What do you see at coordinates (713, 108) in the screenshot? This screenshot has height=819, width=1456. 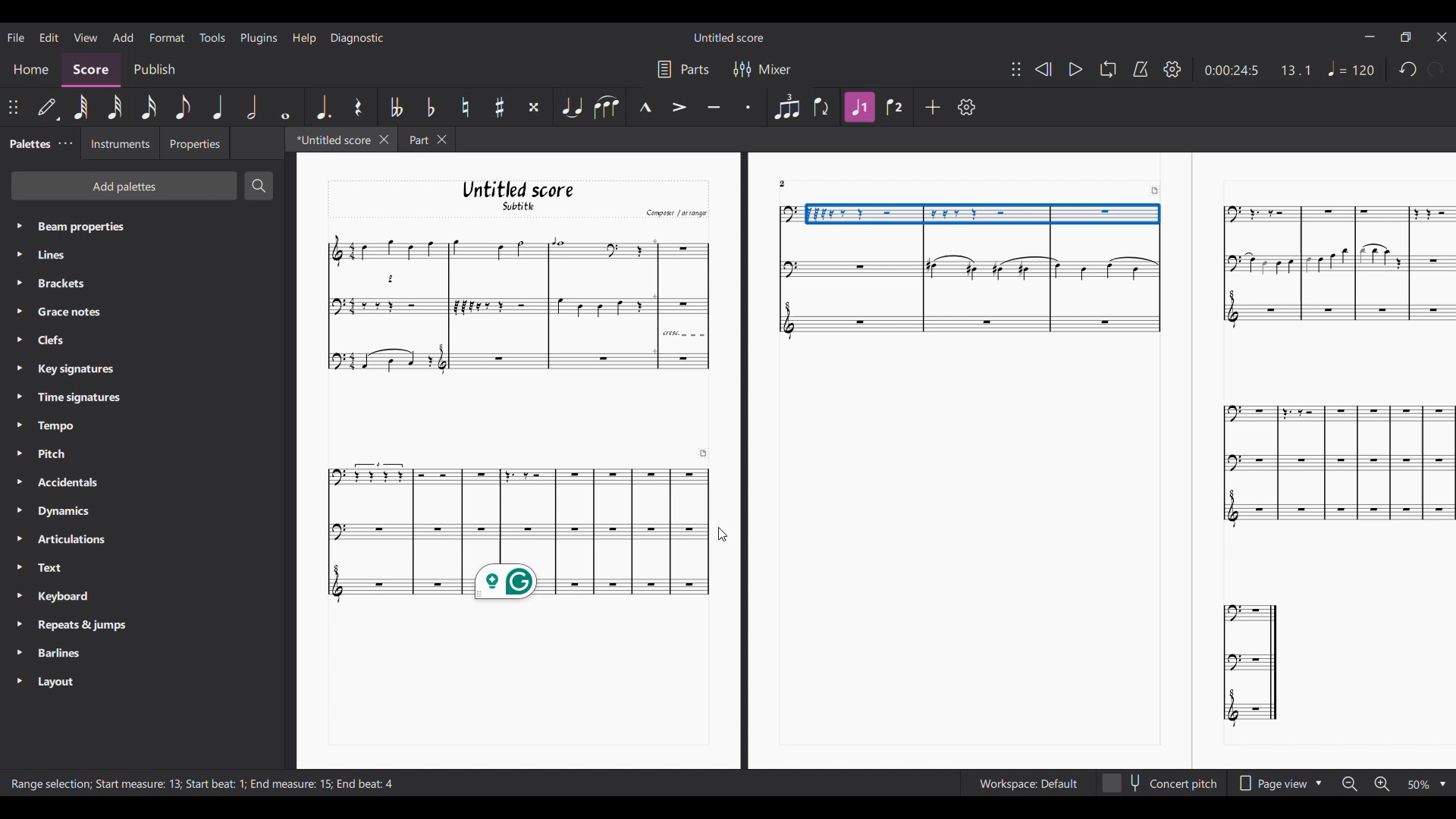 I see `Tenuto` at bounding box center [713, 108].